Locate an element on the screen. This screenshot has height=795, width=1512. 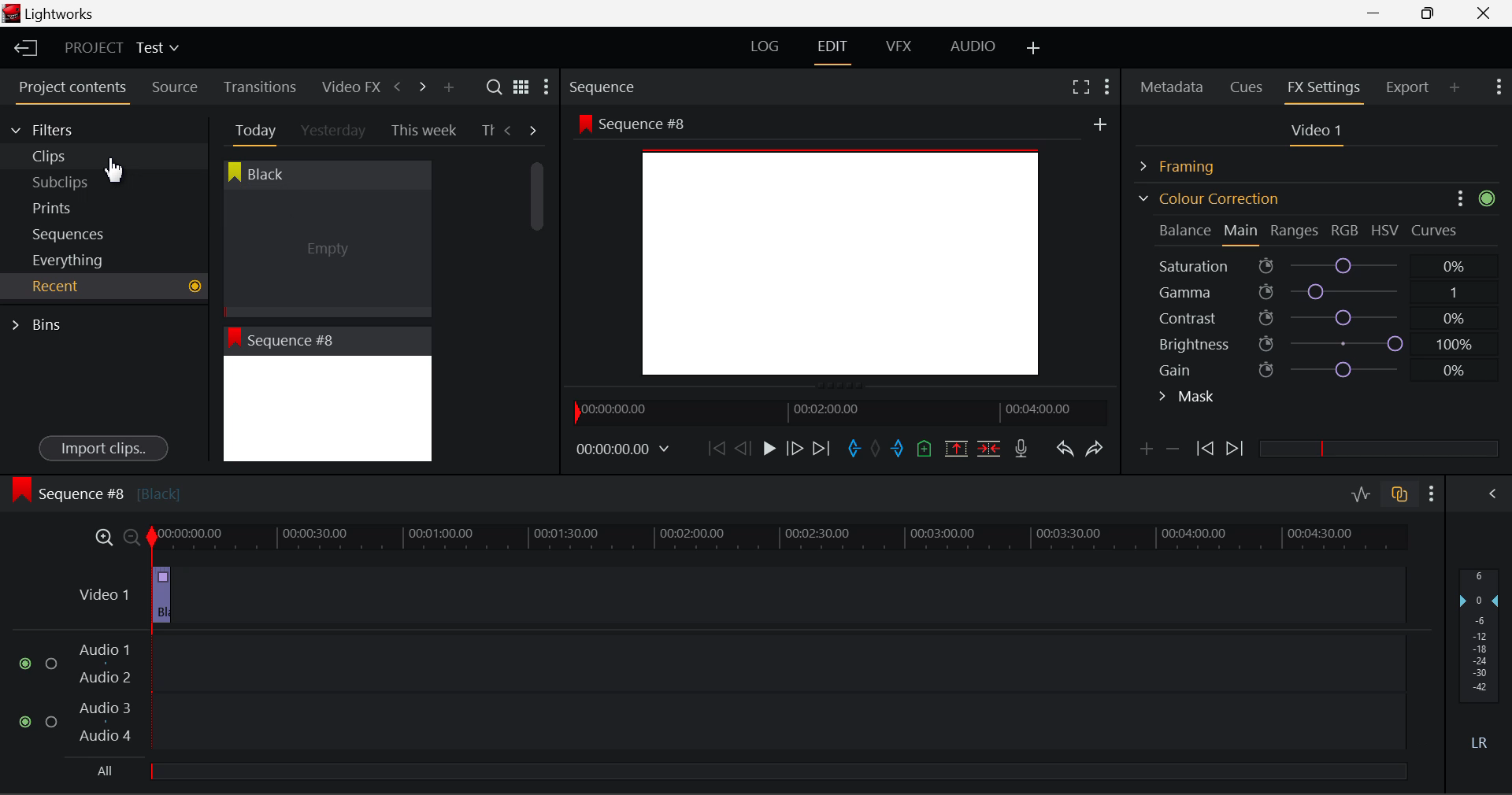
Contrast is located at coordinates (1318, 317).